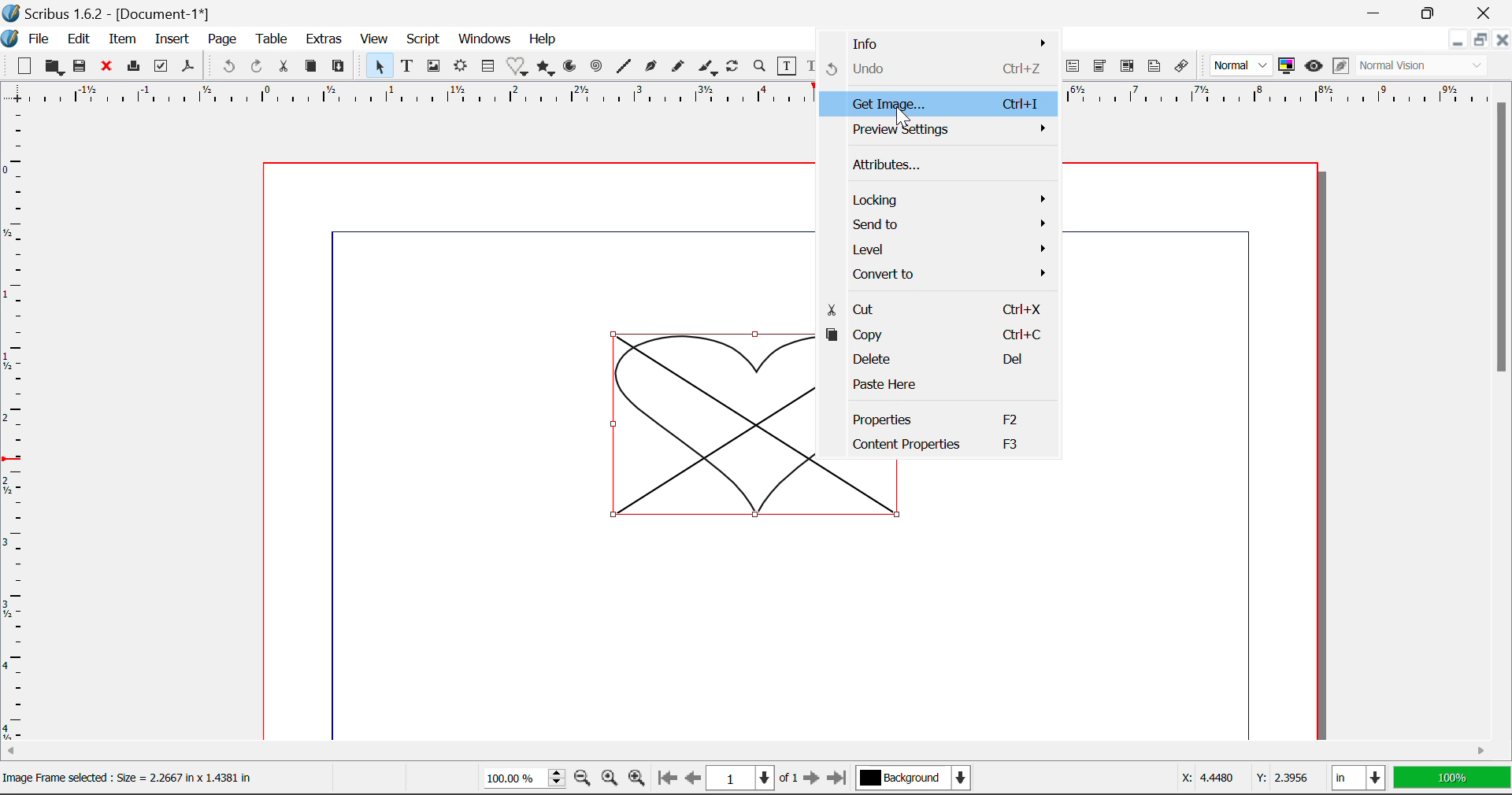  What do you see at coordinates (1503, 407) in the screenshot?
I see `Scroll Bar` at bounding box center [1503, 407].